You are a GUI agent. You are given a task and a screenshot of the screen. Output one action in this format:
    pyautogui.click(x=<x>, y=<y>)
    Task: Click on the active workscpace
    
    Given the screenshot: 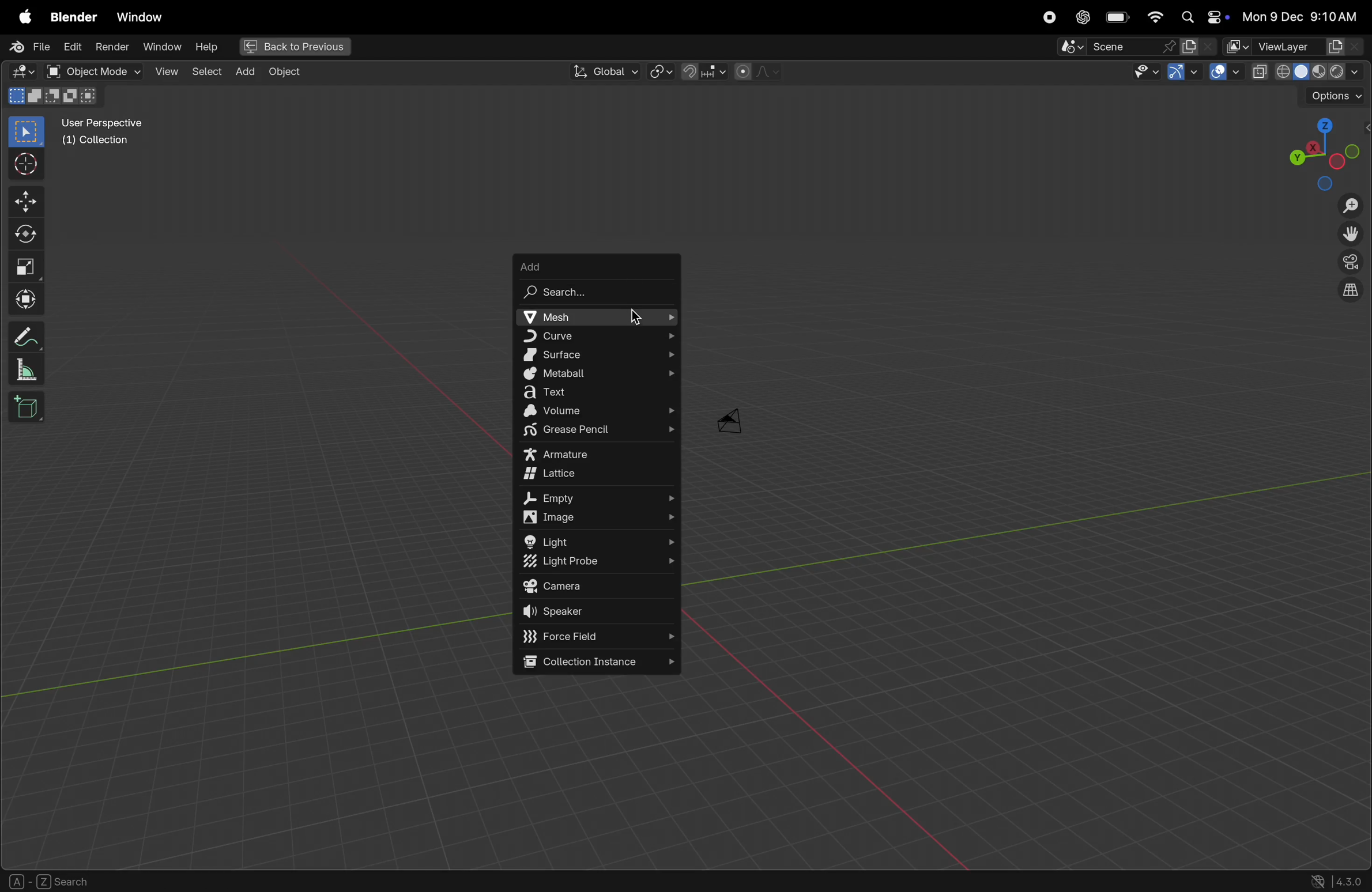 What is the action you would take?
    pyautogui.click(x=1238, y=46)
    